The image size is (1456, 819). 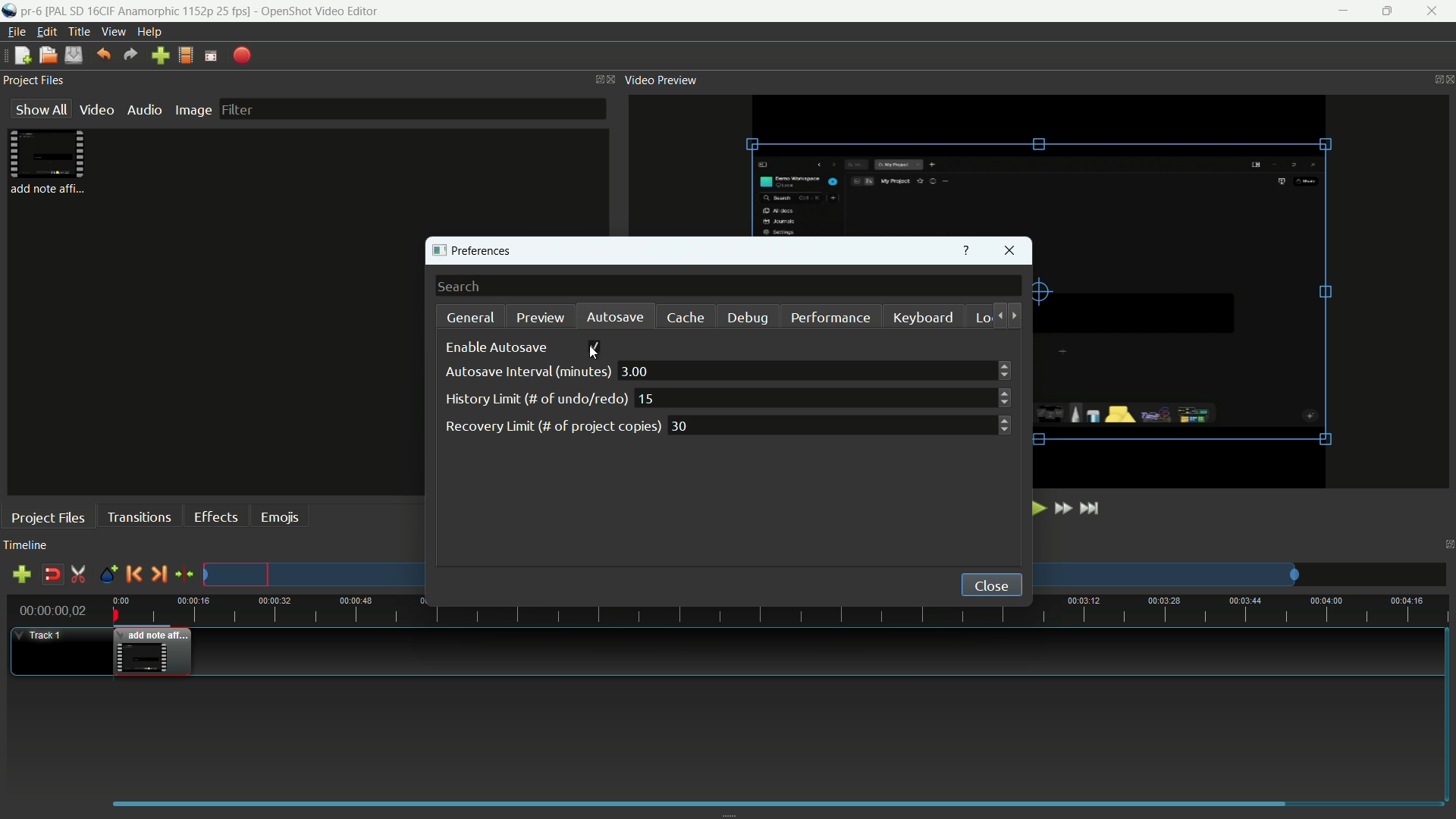 What do you see at coordinates (1385, 11) in the screenshot?
I see `maximize` at bounding box center [1385, 11].